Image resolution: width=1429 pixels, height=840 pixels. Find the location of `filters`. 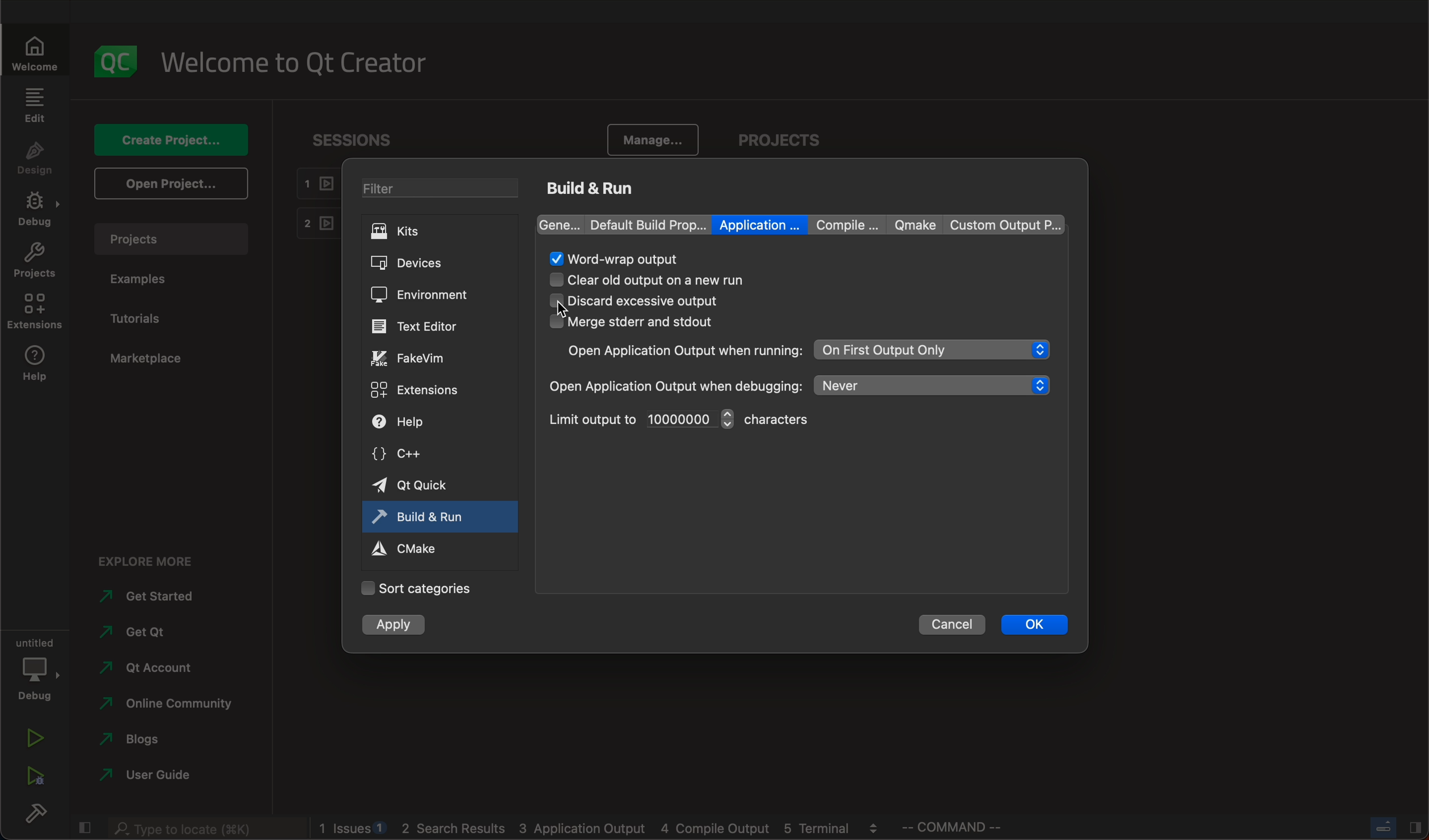

filters is located at coordinates (441, 189).